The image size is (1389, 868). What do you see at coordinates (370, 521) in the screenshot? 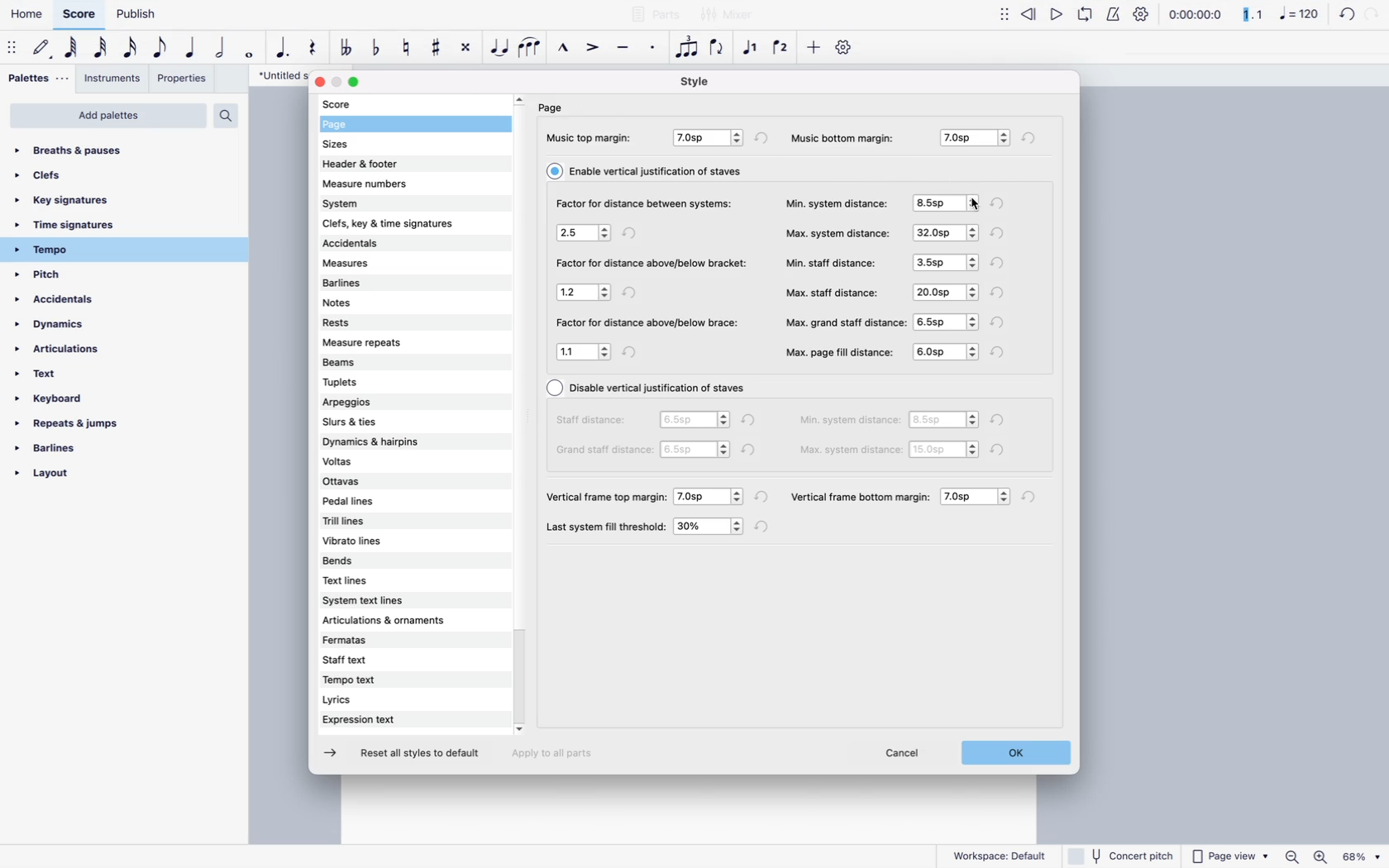
I see `trill lines` at bounding box center [370, 521].